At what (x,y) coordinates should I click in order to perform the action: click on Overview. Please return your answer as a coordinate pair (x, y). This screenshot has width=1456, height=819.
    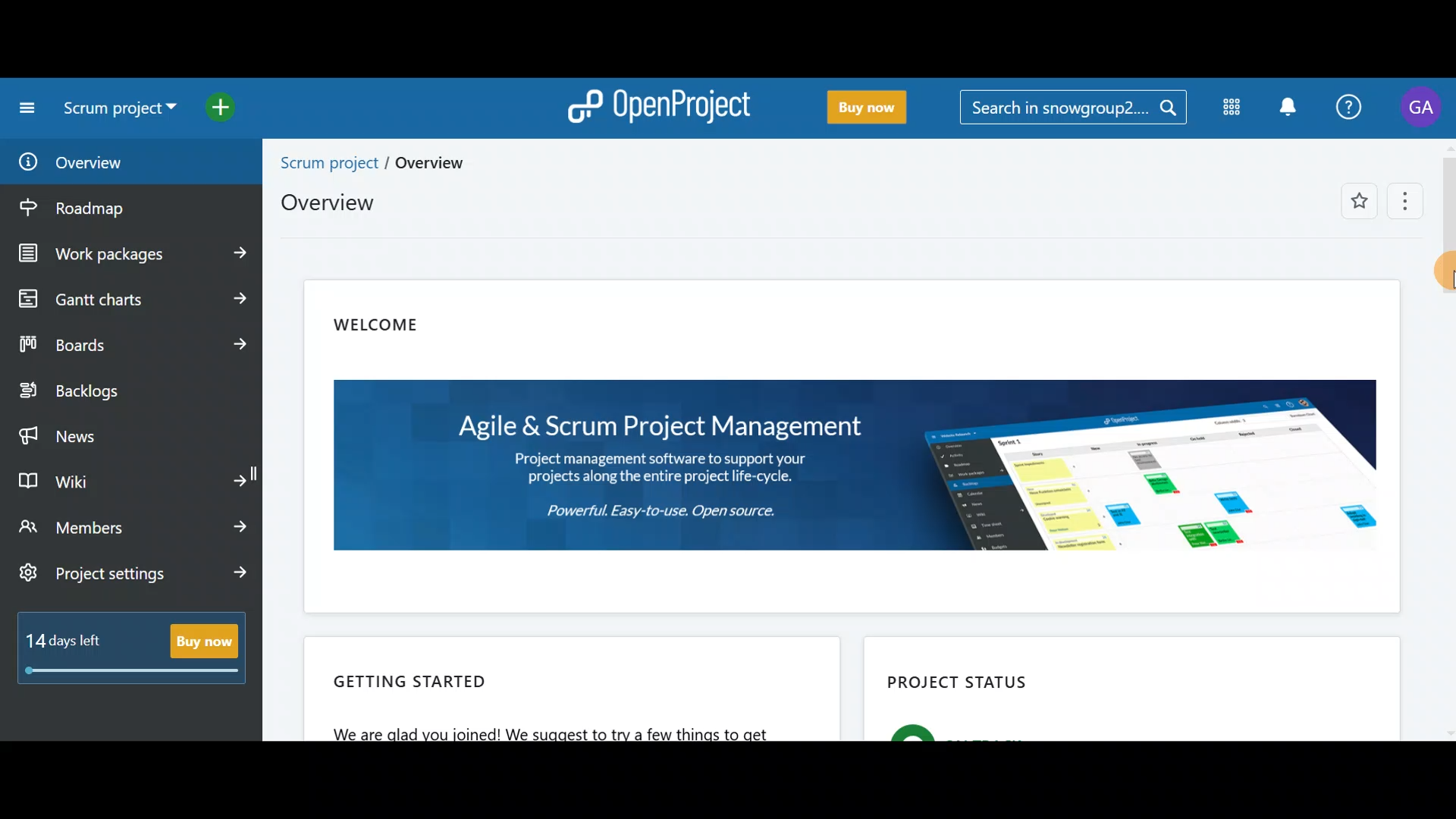
    Looking at the image, I should click on (112, 162).